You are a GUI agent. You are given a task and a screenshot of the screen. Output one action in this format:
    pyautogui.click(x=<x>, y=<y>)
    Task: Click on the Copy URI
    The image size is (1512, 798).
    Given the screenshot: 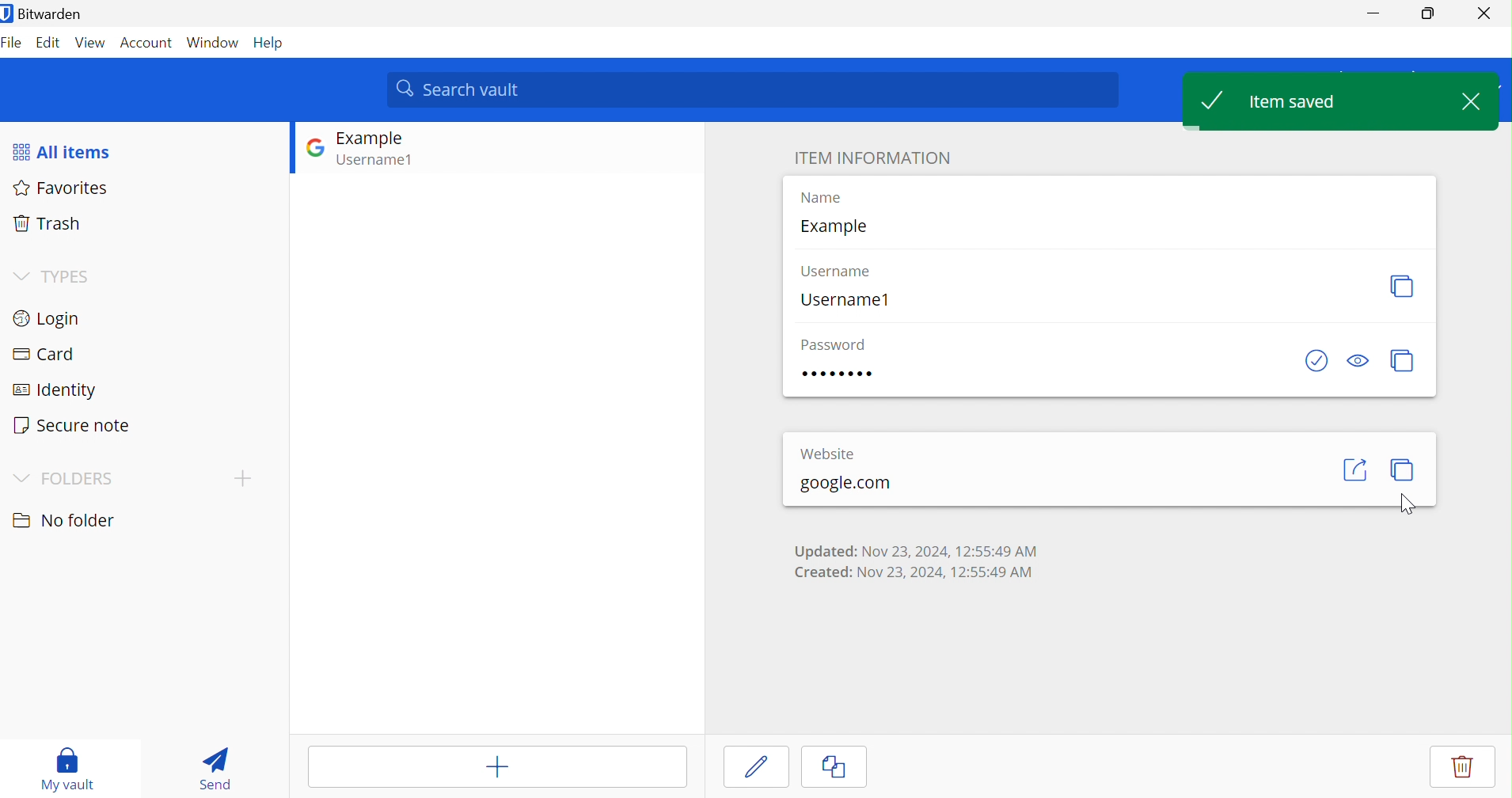 What is the action you would take?
    pyautogui.click(x=1406, y=471)
    